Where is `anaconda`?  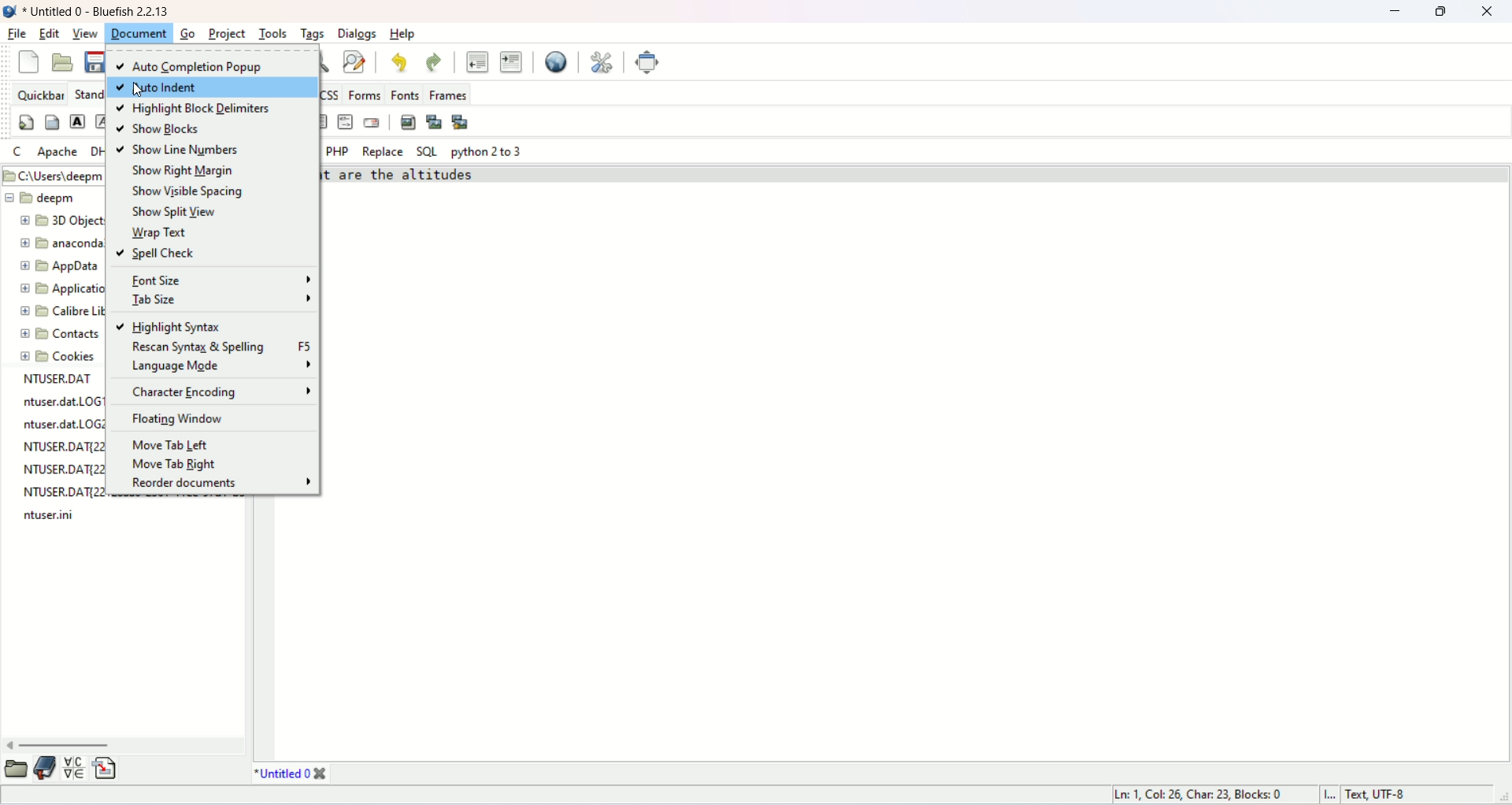
anaconda is located at coordinates (60, 242).